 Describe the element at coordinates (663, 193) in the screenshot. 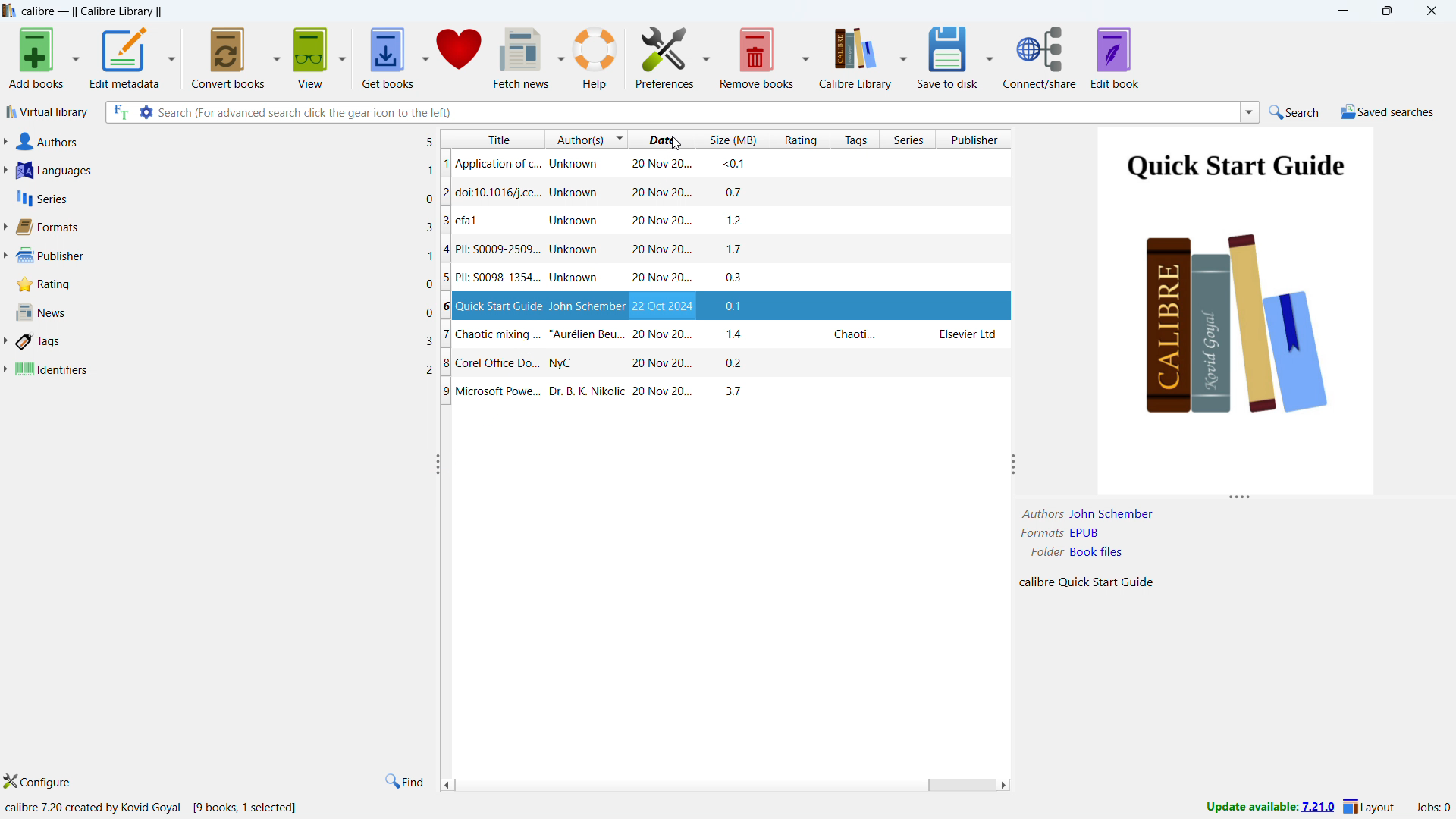

I see `20 Nov 20..` at that location.